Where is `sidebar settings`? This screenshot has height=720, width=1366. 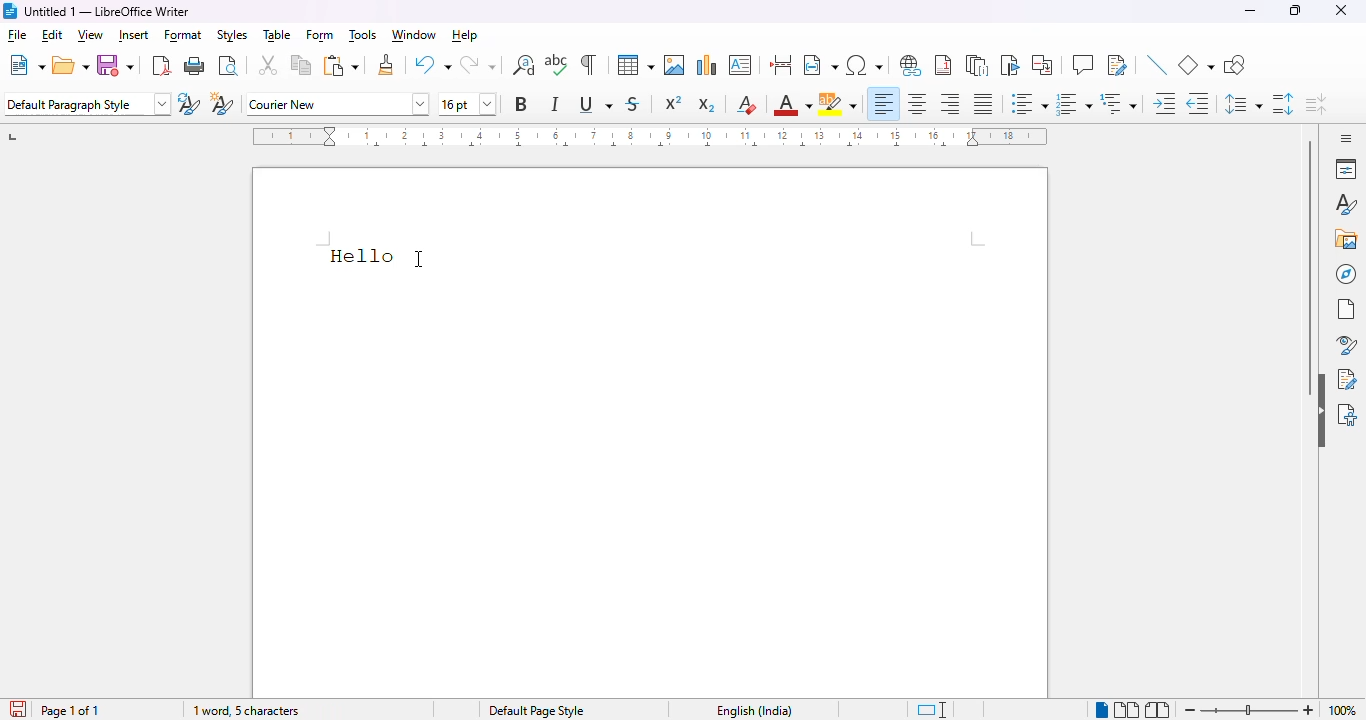
sidebar settings is located at coordinates (1343, 138).